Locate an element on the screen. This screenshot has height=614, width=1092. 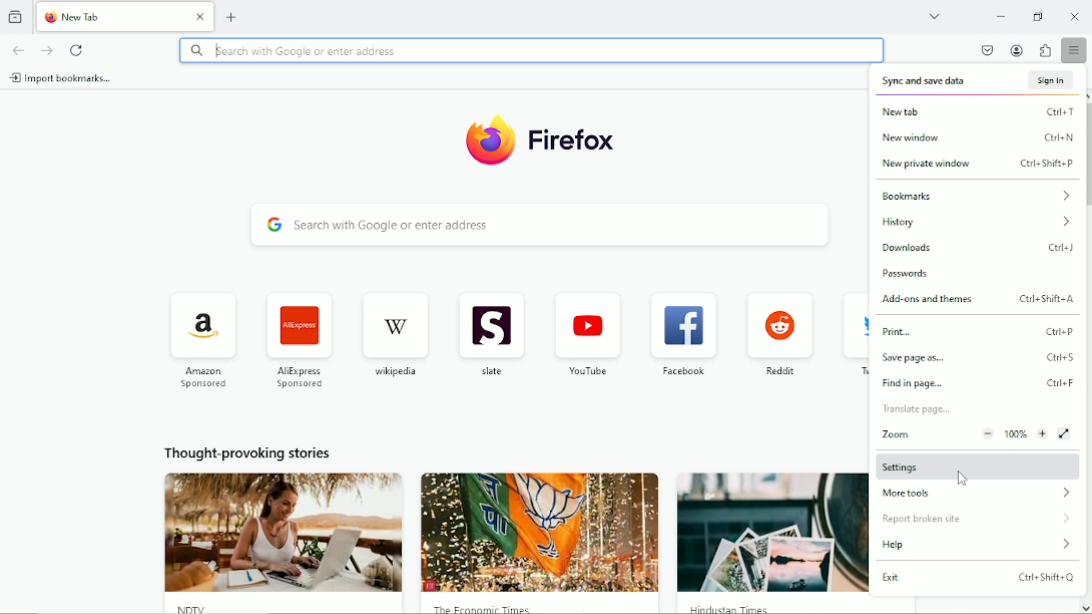
help is located at coordinates (976, 546).